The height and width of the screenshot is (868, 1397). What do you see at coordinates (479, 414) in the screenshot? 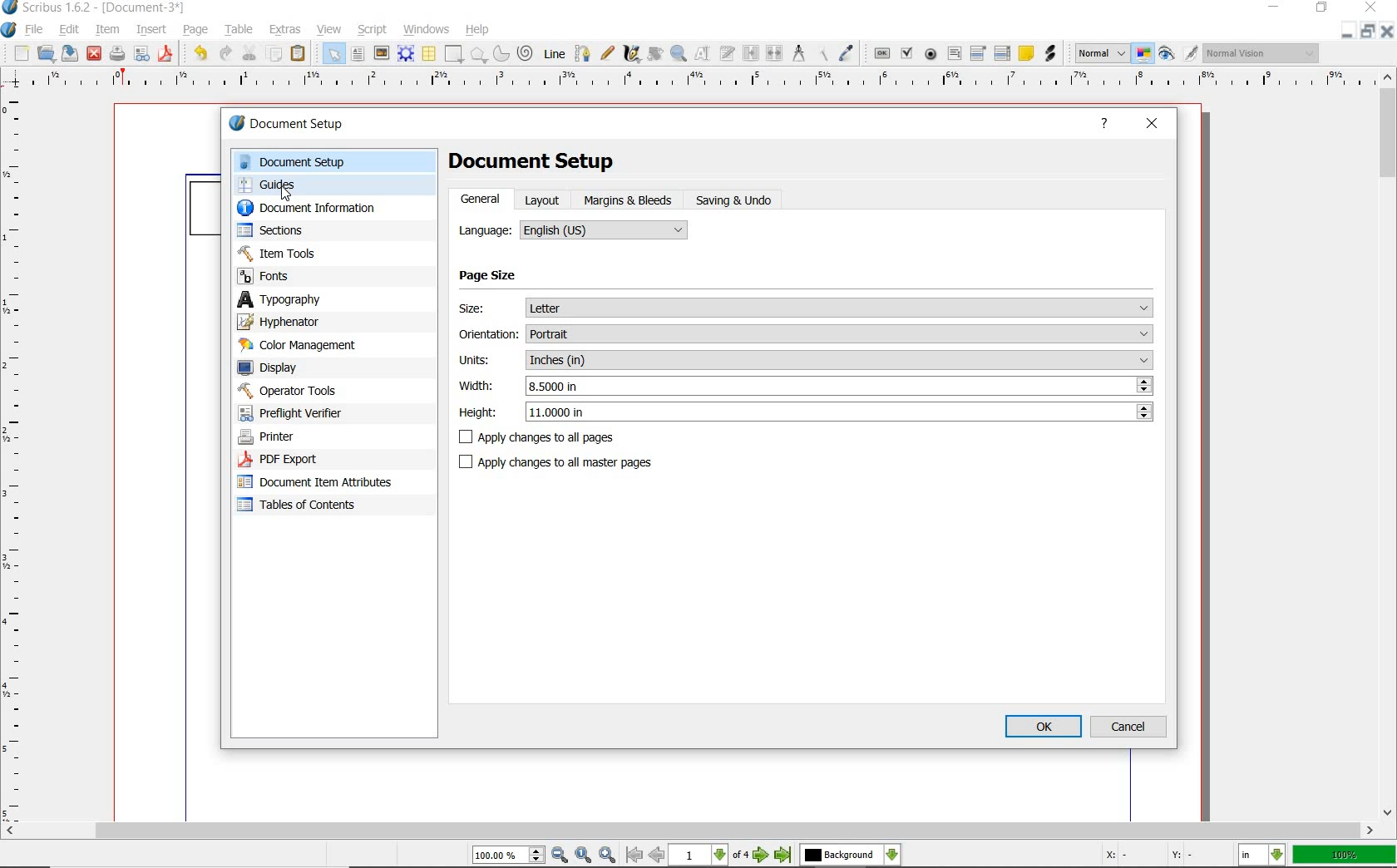
I see `Height:` at bounding box center [479, 414].